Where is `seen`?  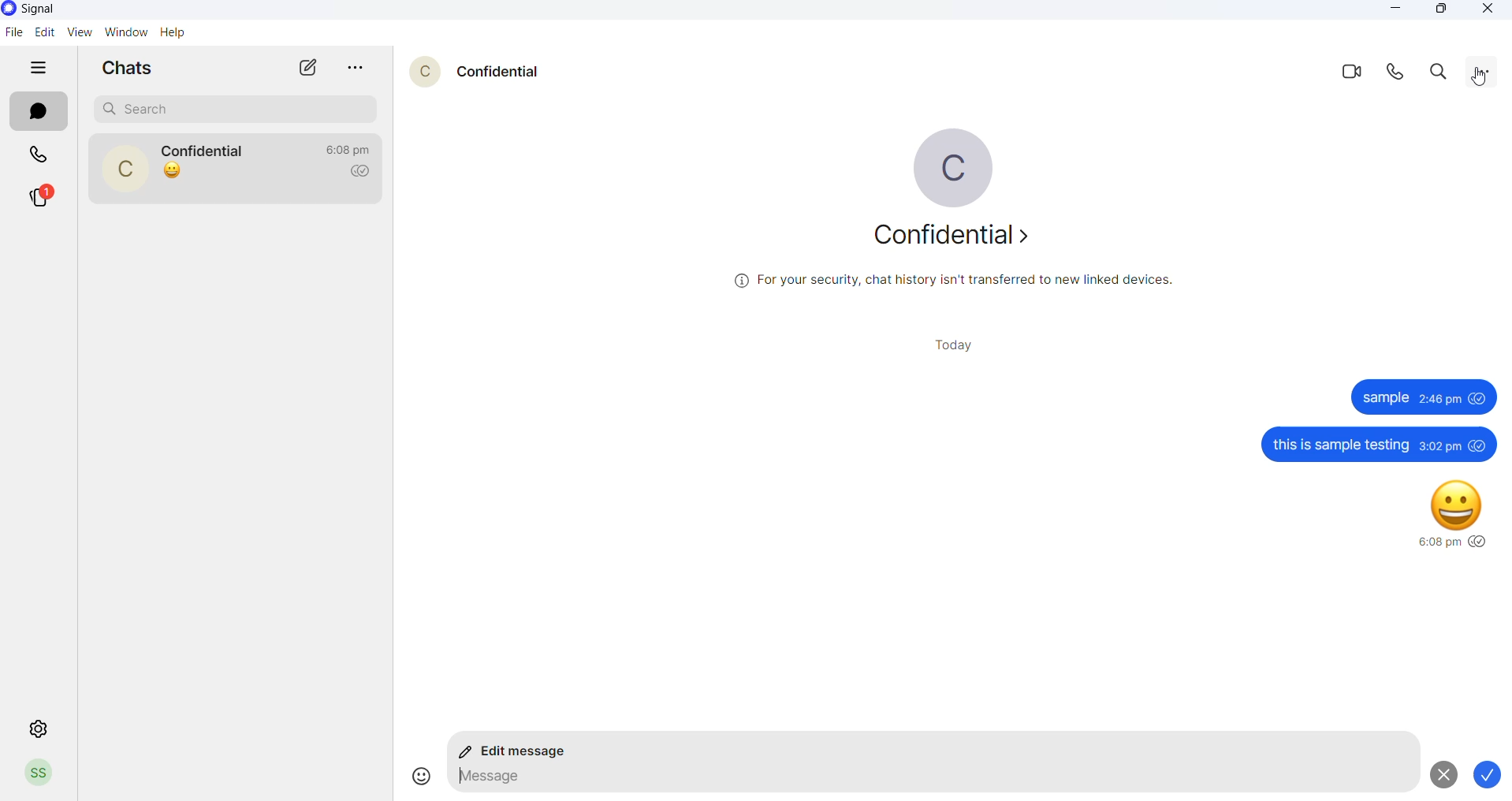 seen is located at coordinates (1479, 399).